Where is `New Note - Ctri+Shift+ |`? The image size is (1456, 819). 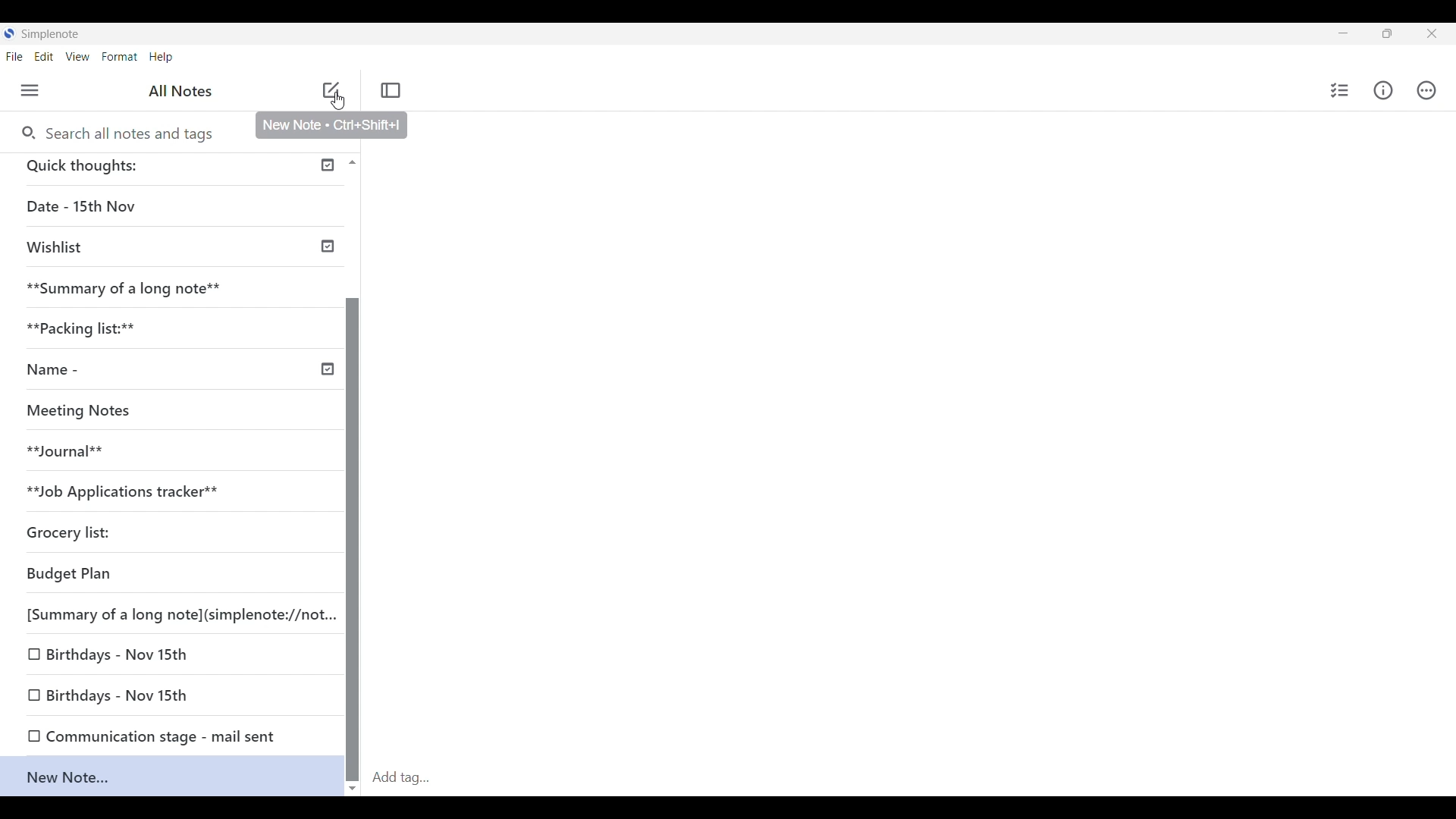
New Note - Ctri+Shift+ | is located at coordinates (335, 126).